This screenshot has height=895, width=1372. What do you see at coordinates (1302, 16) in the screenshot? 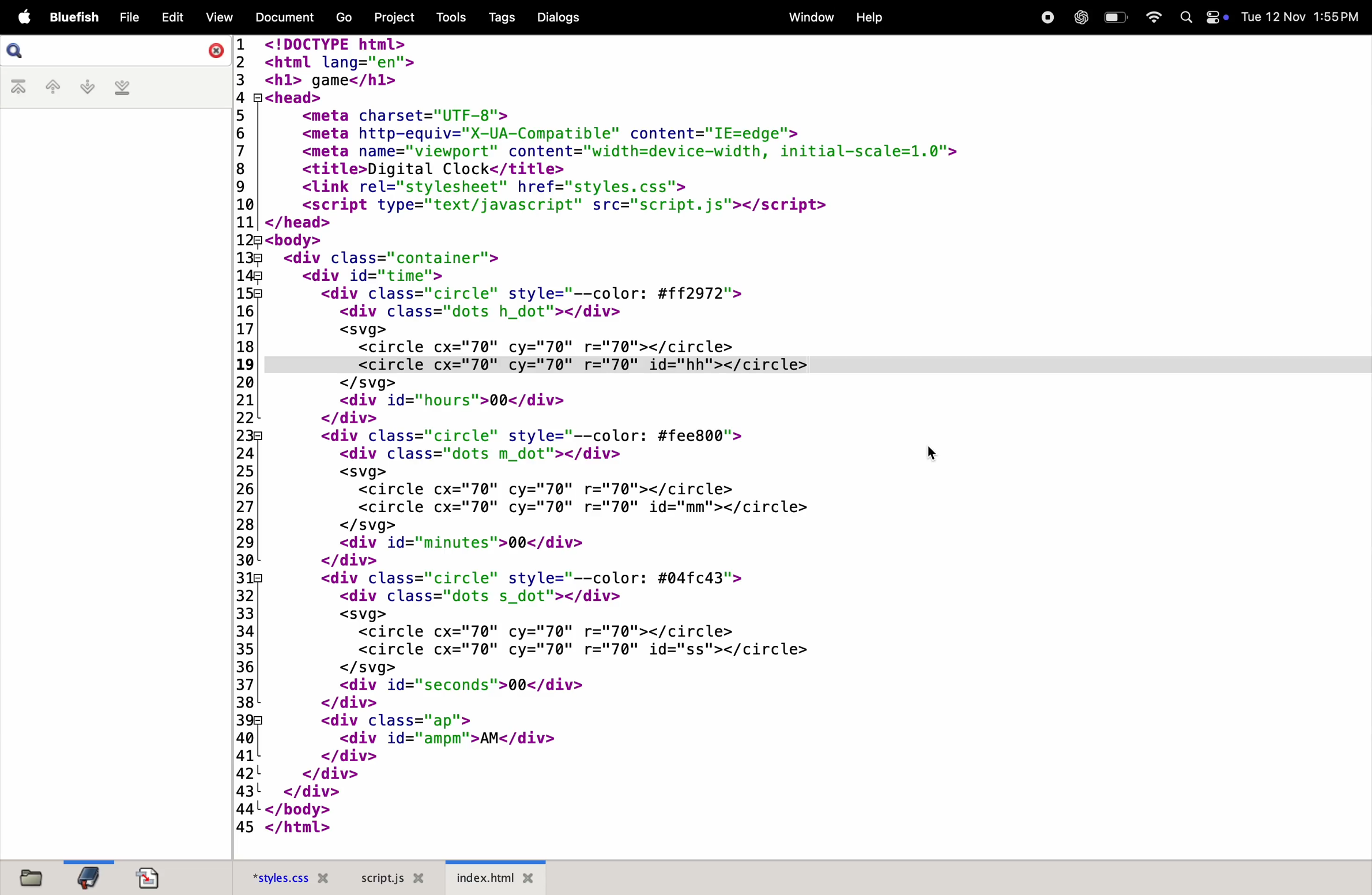
I see `Tue 12 Nov 1:55 PM` at bounding box center [1302, 16].